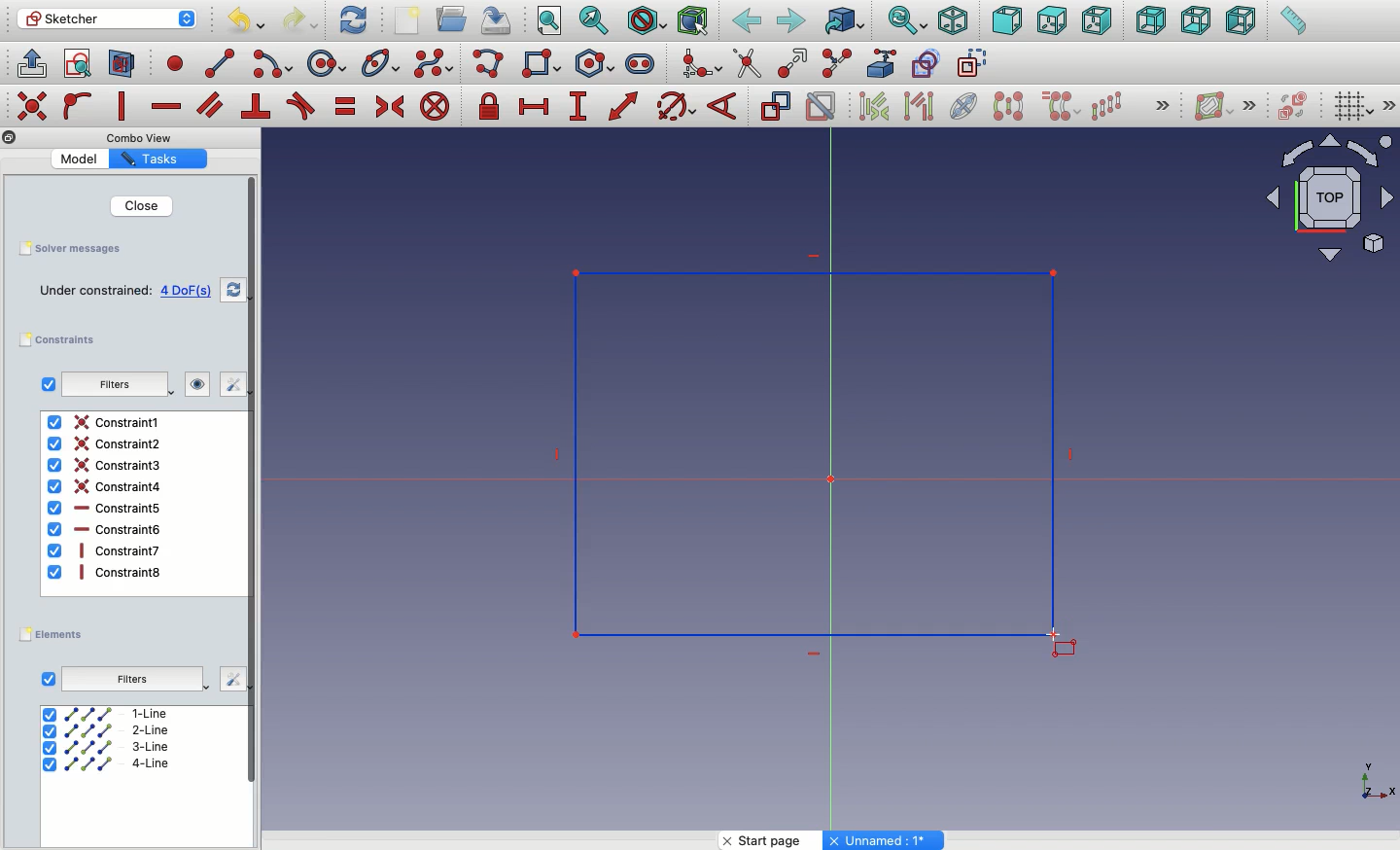 Image resolution: width=1400 pixels, height=850 pixels. What do you see at coordinates (1250, 105) in the screenshot?
I see `Expand` at bounding box center [1250, 105].